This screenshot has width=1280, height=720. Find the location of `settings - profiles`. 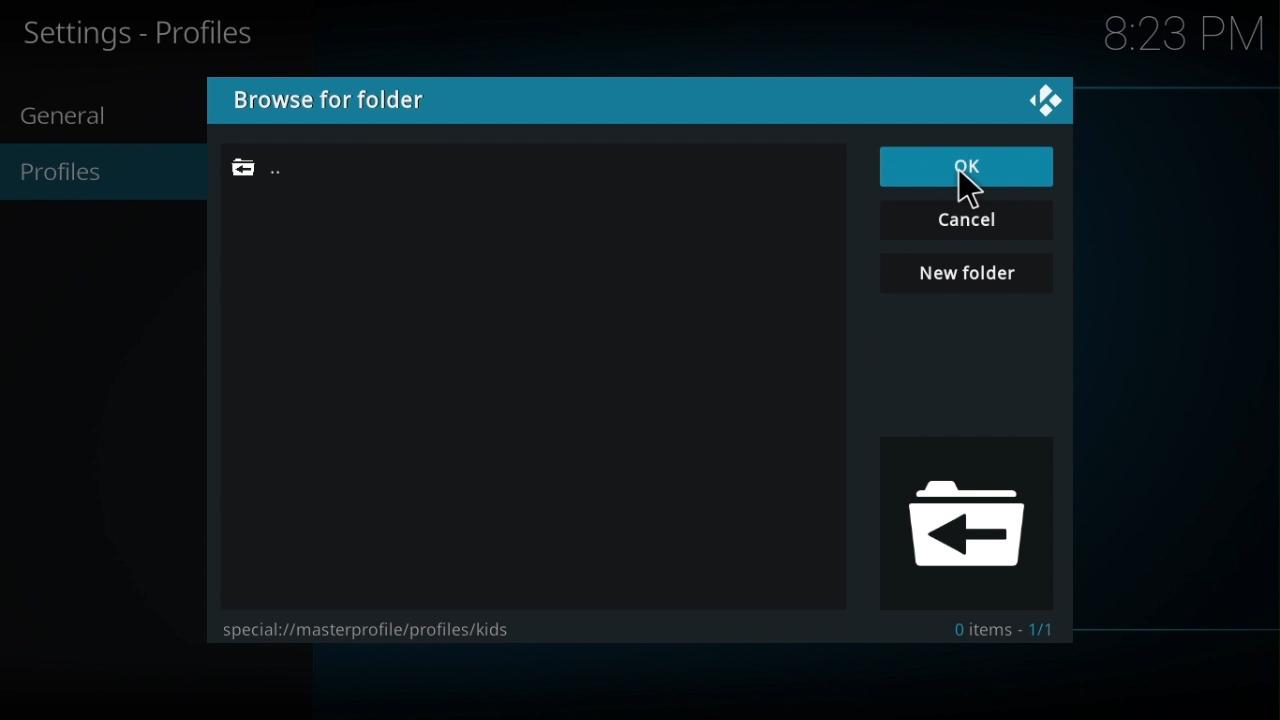

settings - profiles is located at coordinates (155, 33).